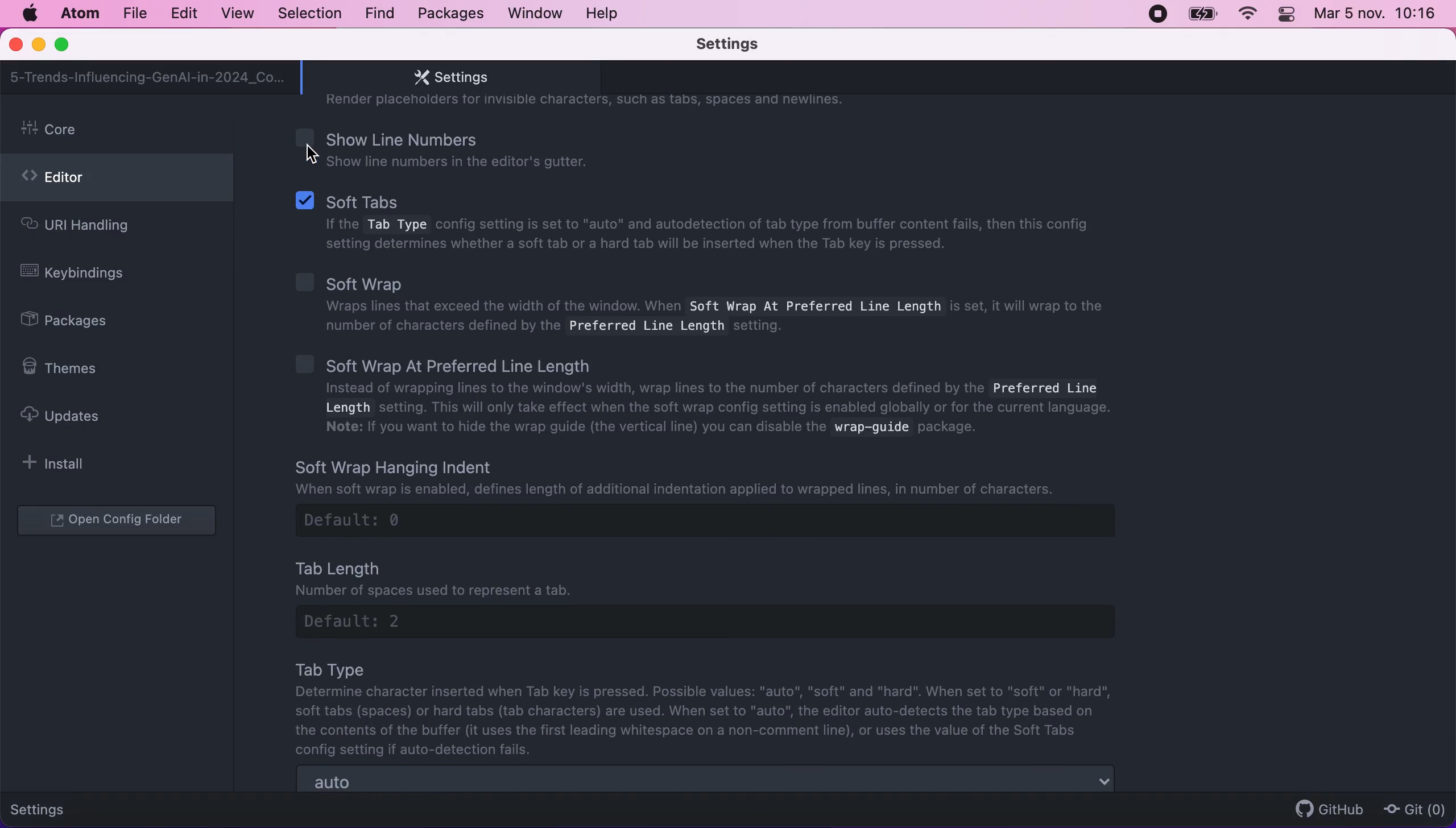 The image size is (1456, 828). What do you see at coordinates (379, 14) in the screenshot?
I see `find` at bounding box center [379, 14].